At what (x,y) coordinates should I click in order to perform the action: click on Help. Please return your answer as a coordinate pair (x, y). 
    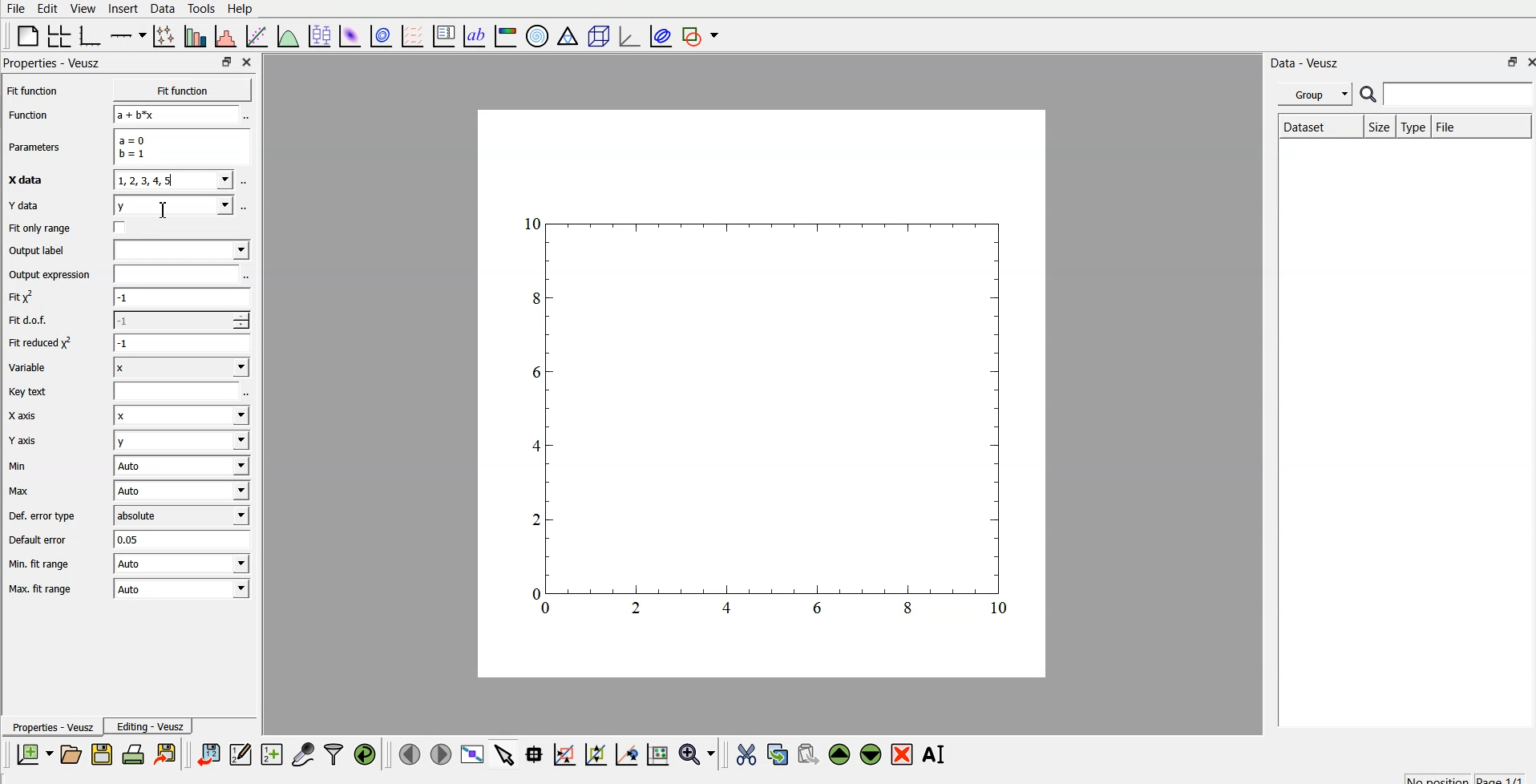
    Looking at the image, I should click on (241, 7).